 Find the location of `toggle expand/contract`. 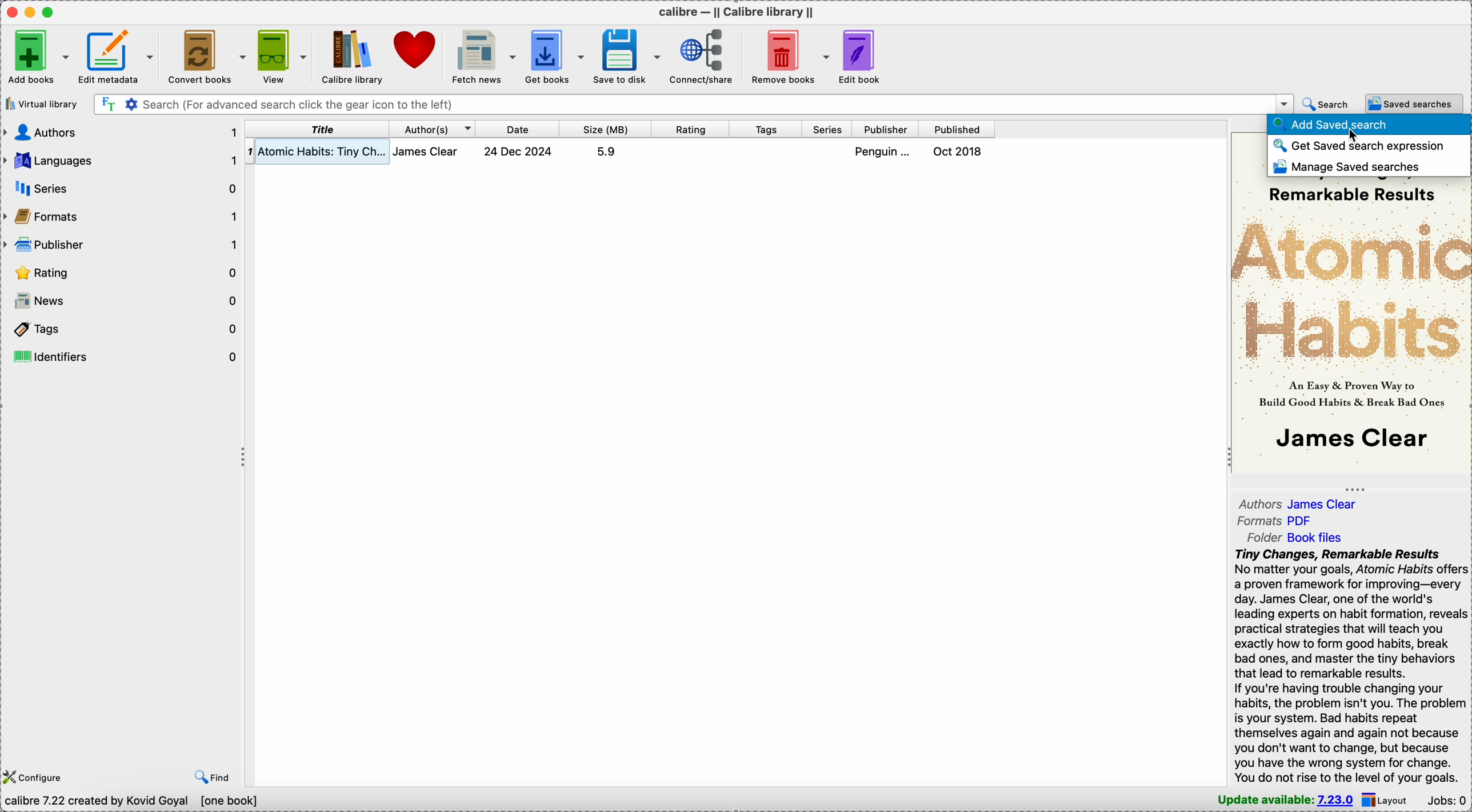

toggle expand/contract is located at coordinates (244, 458).